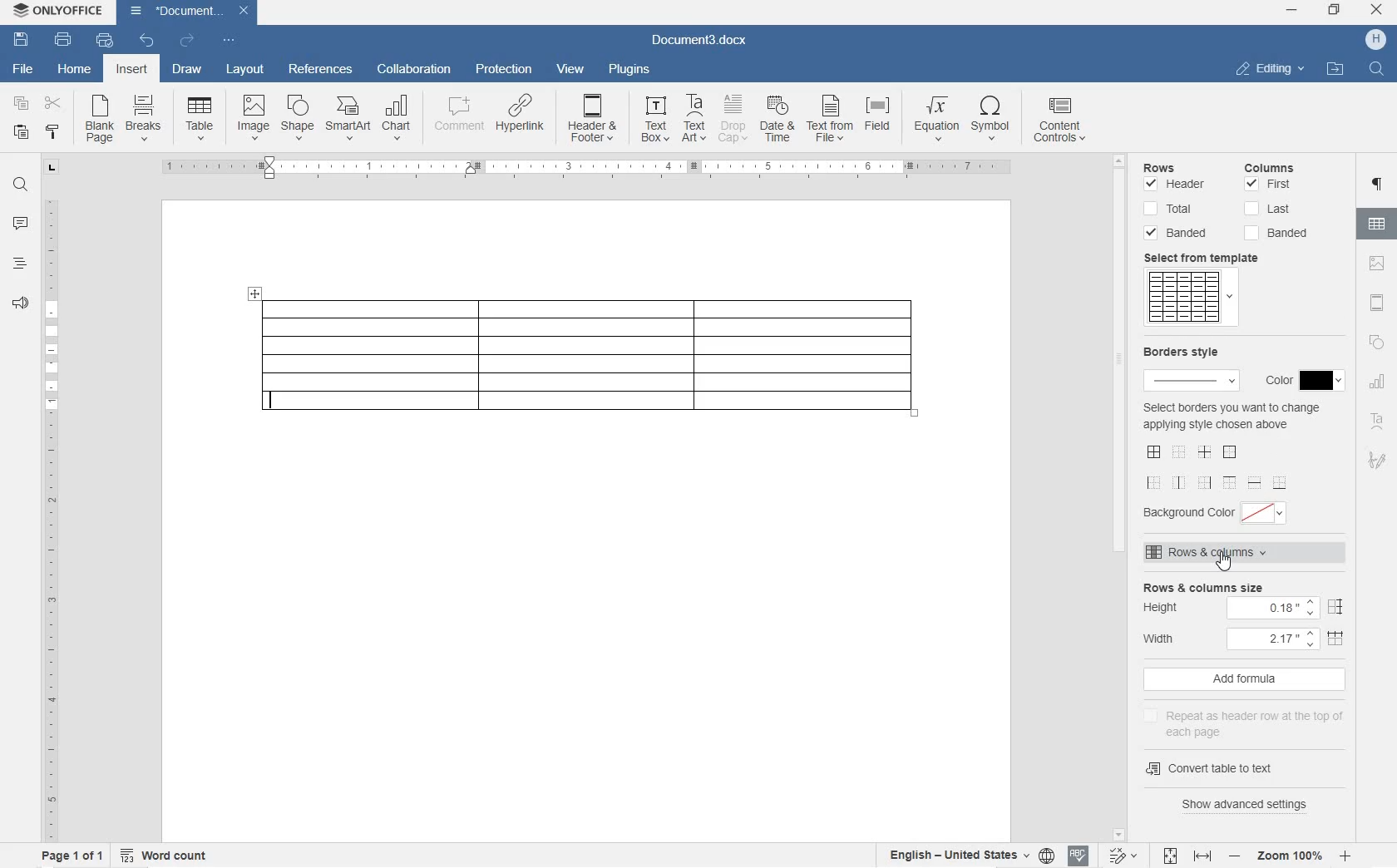 This screenshot has height=868, width=1397. I want to click on select from template, so click(1212, 258).